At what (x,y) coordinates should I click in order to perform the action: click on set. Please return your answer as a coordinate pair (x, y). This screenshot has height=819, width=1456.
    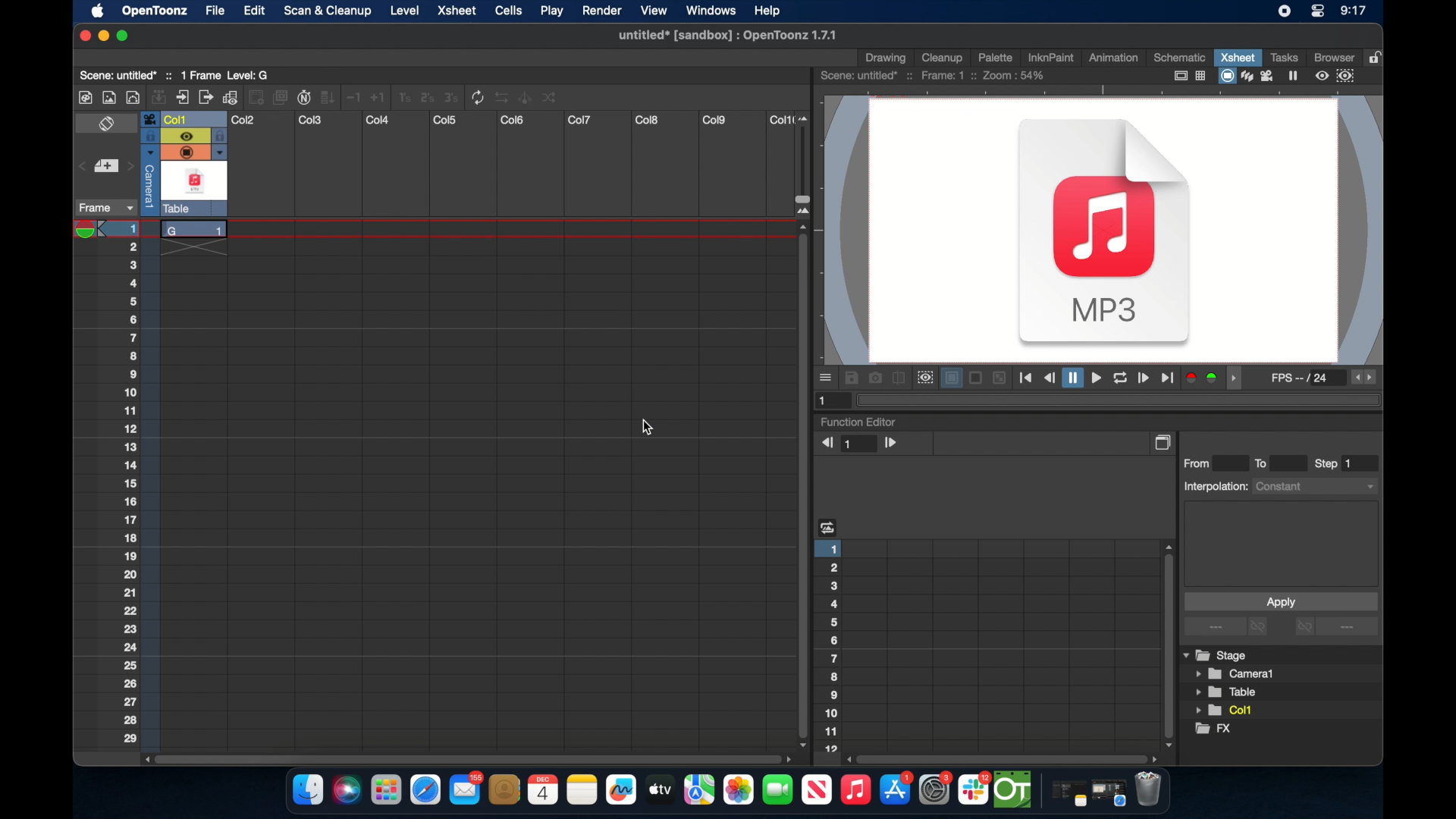
    Looking at the image, I should click on (105, 167).